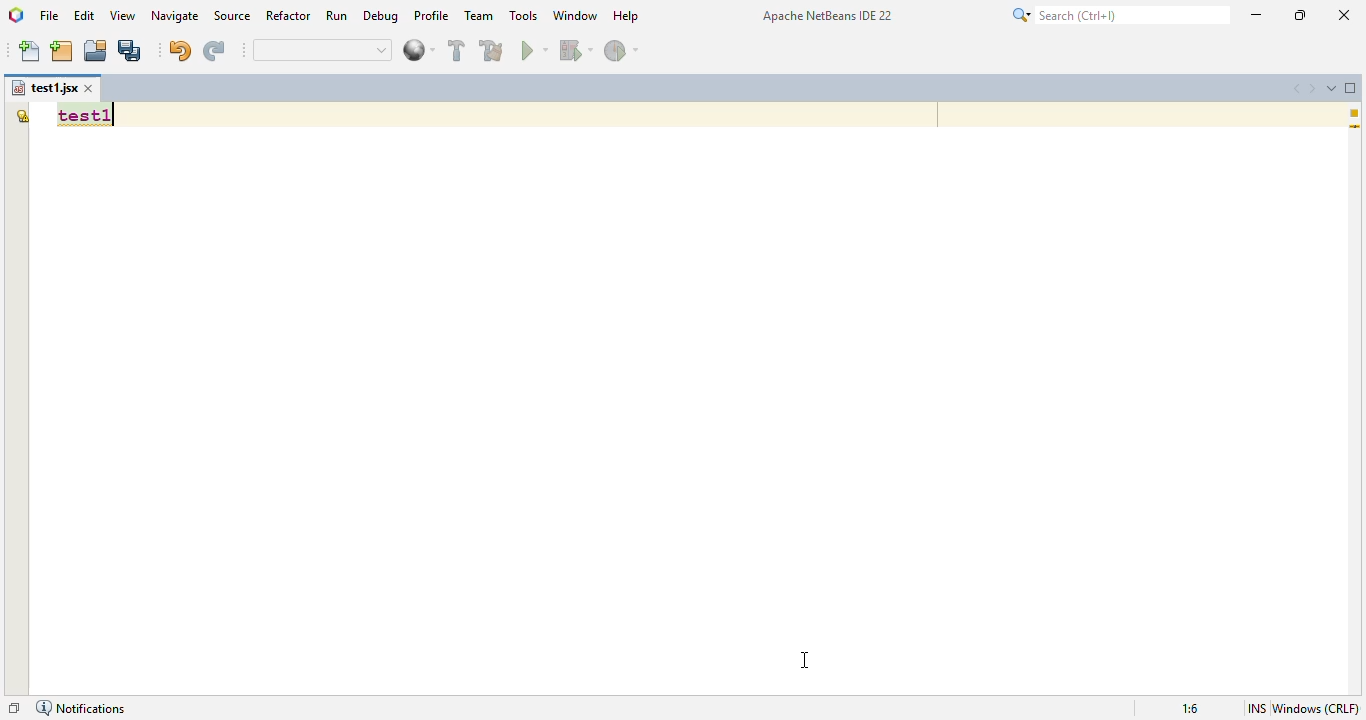 This screenshot has width=1366, height=720. What do you see at coordinates (1351, 88) in the screenshot?
I see `maximize window` at bounding box center [1351, 88].